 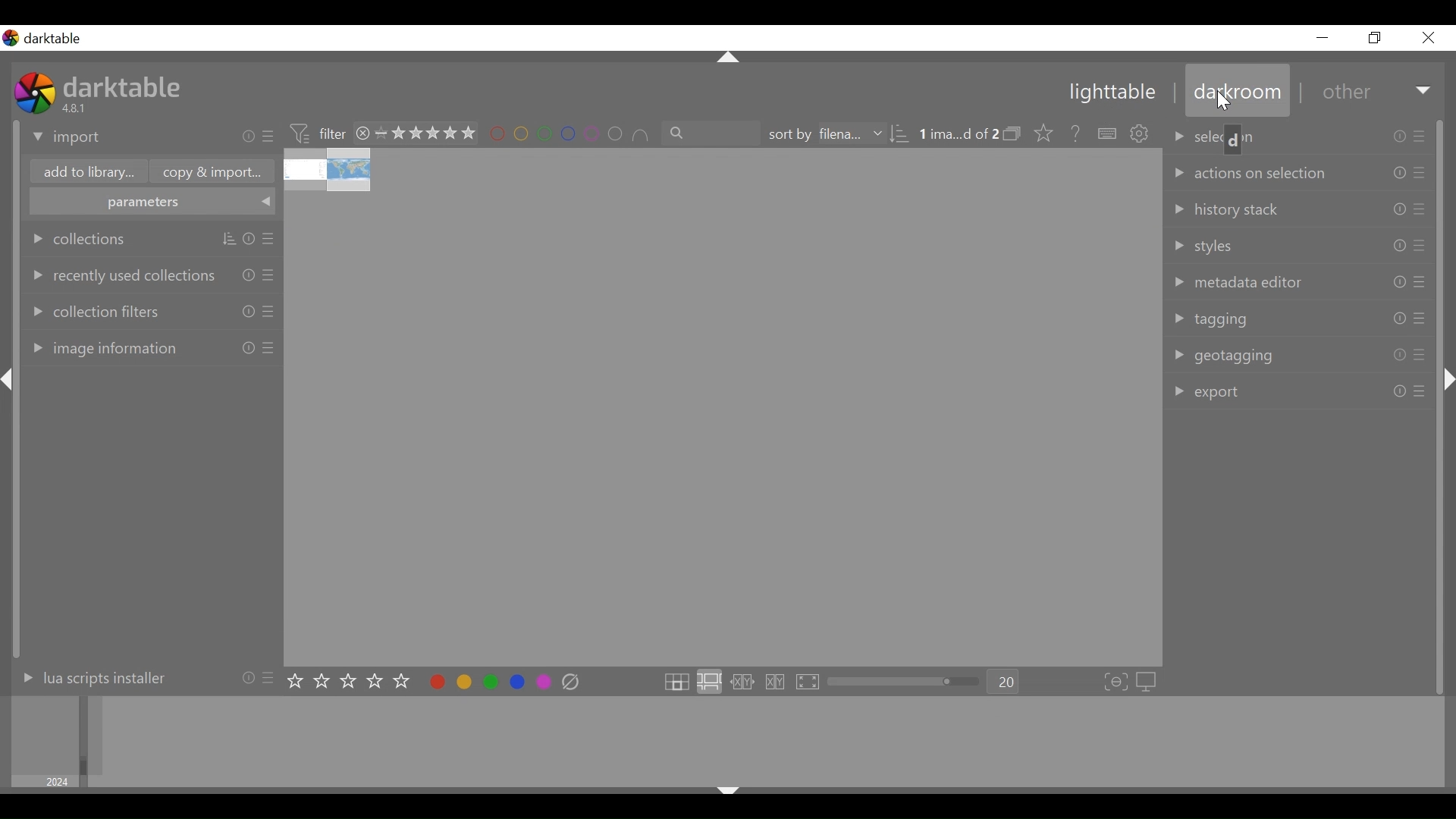 I want to click on darktable, so click(x=123, y=86).